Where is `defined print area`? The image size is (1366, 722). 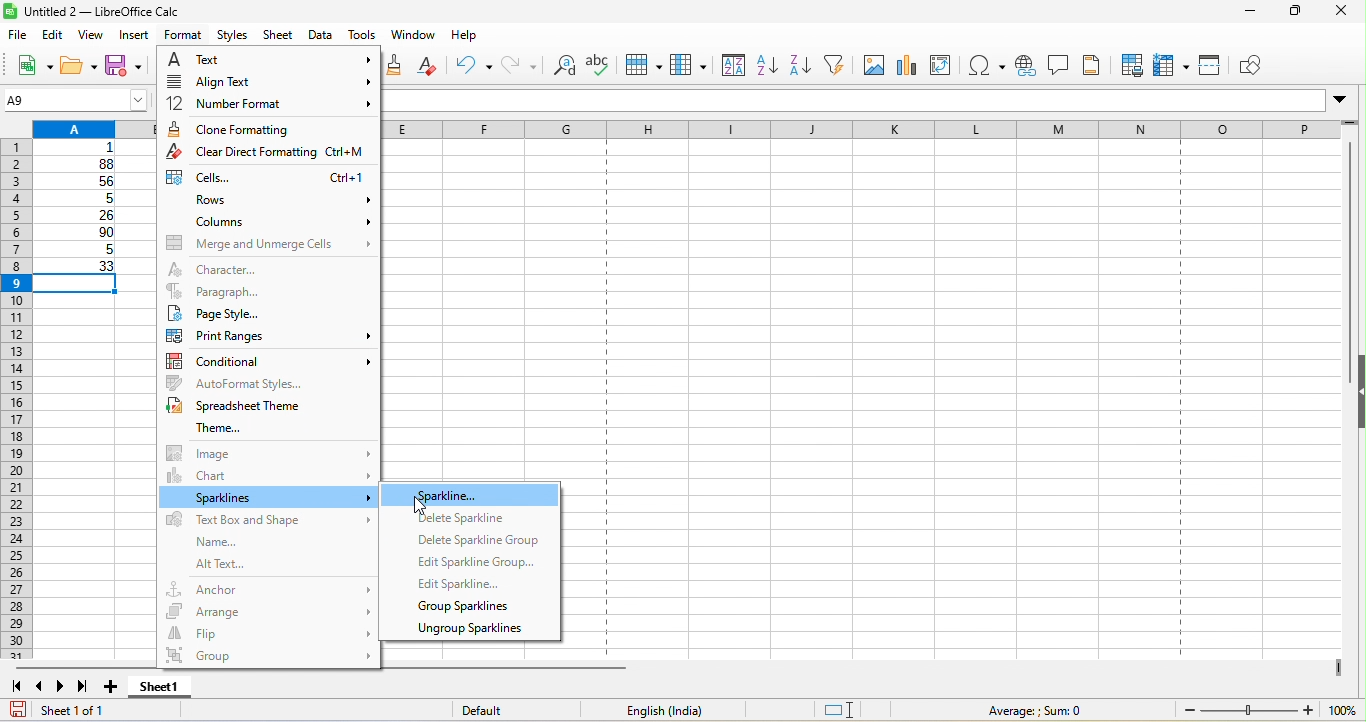 defined print area is located at coordinates (1130, 65).